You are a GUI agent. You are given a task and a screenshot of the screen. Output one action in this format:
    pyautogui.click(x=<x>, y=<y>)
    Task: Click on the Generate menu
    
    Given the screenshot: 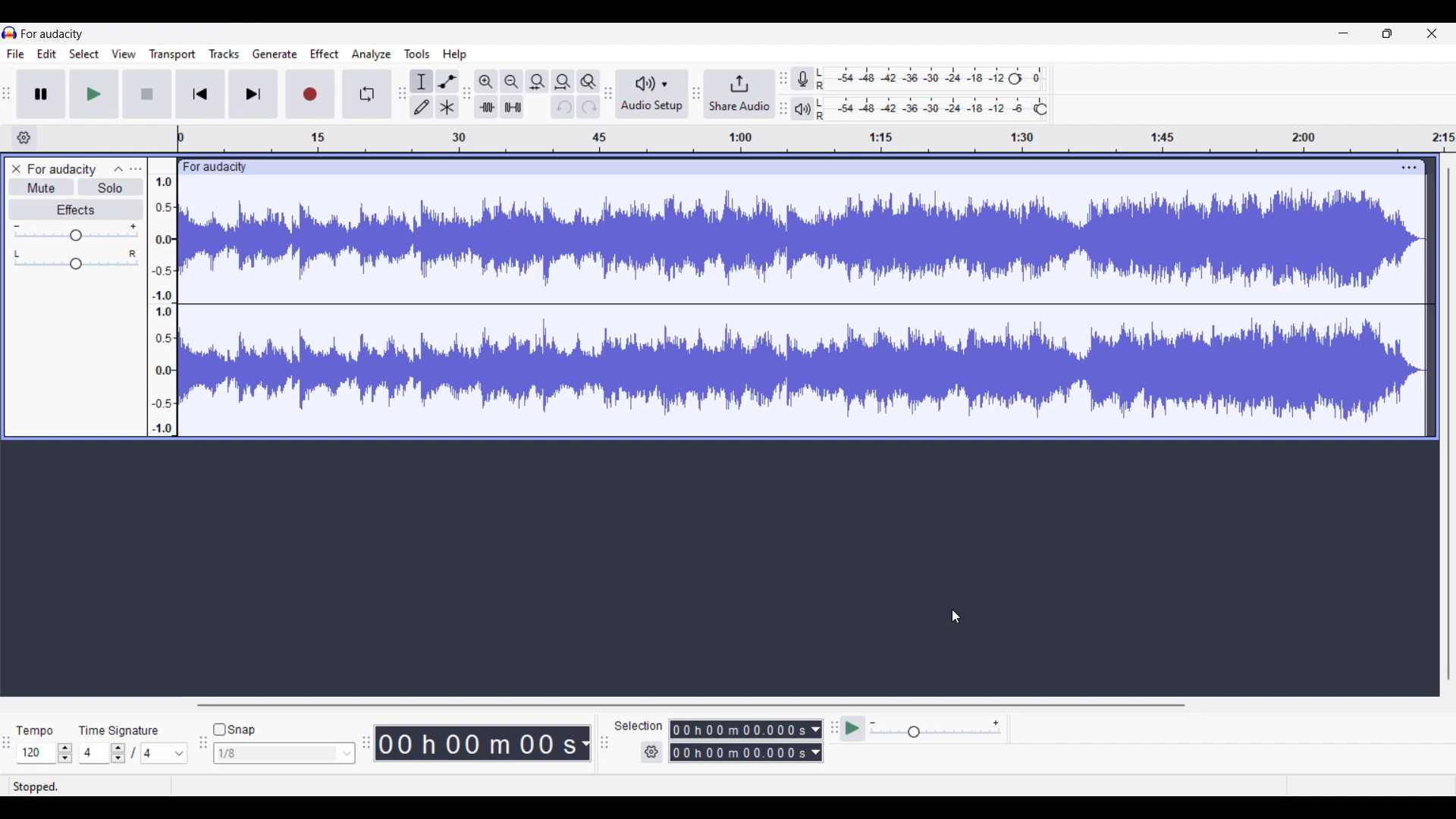 What is the action you would take?
    pyautogui.click(x=275, y=54)
    